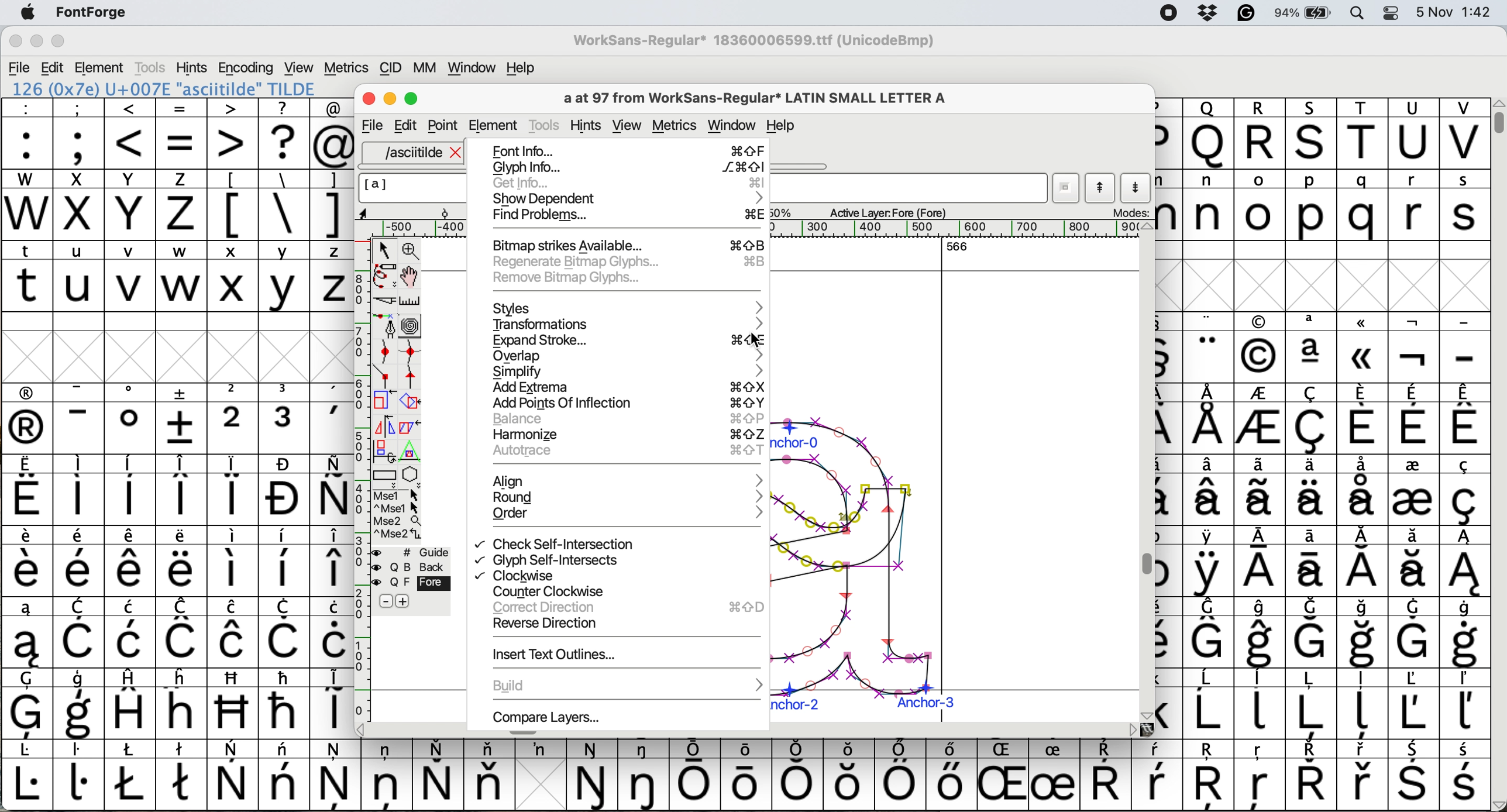 This screenshot has width=1507, height=812. I want to click on z, so click(332, 276).